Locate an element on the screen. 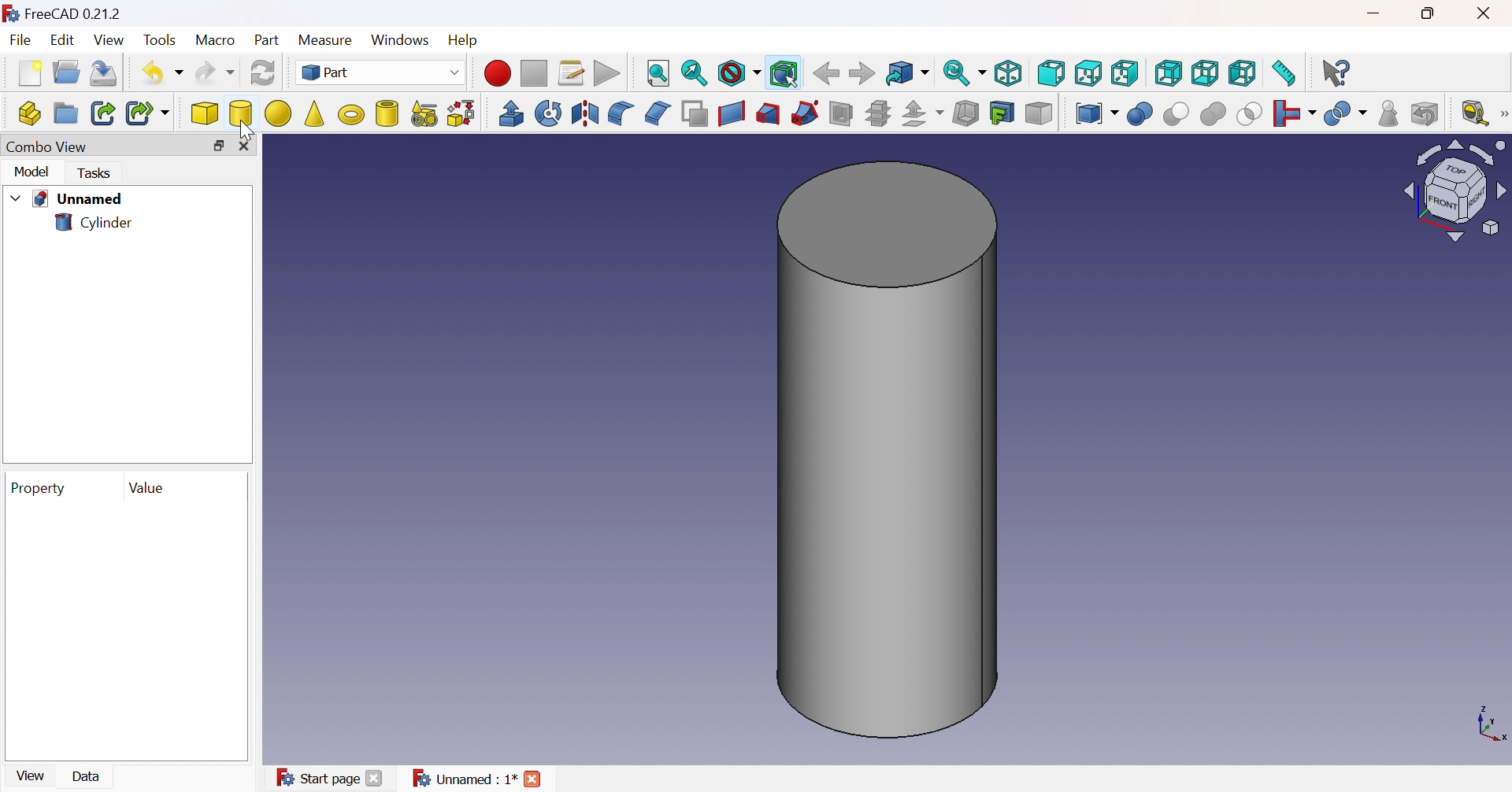  Macros is located at coordinates (571, 74).